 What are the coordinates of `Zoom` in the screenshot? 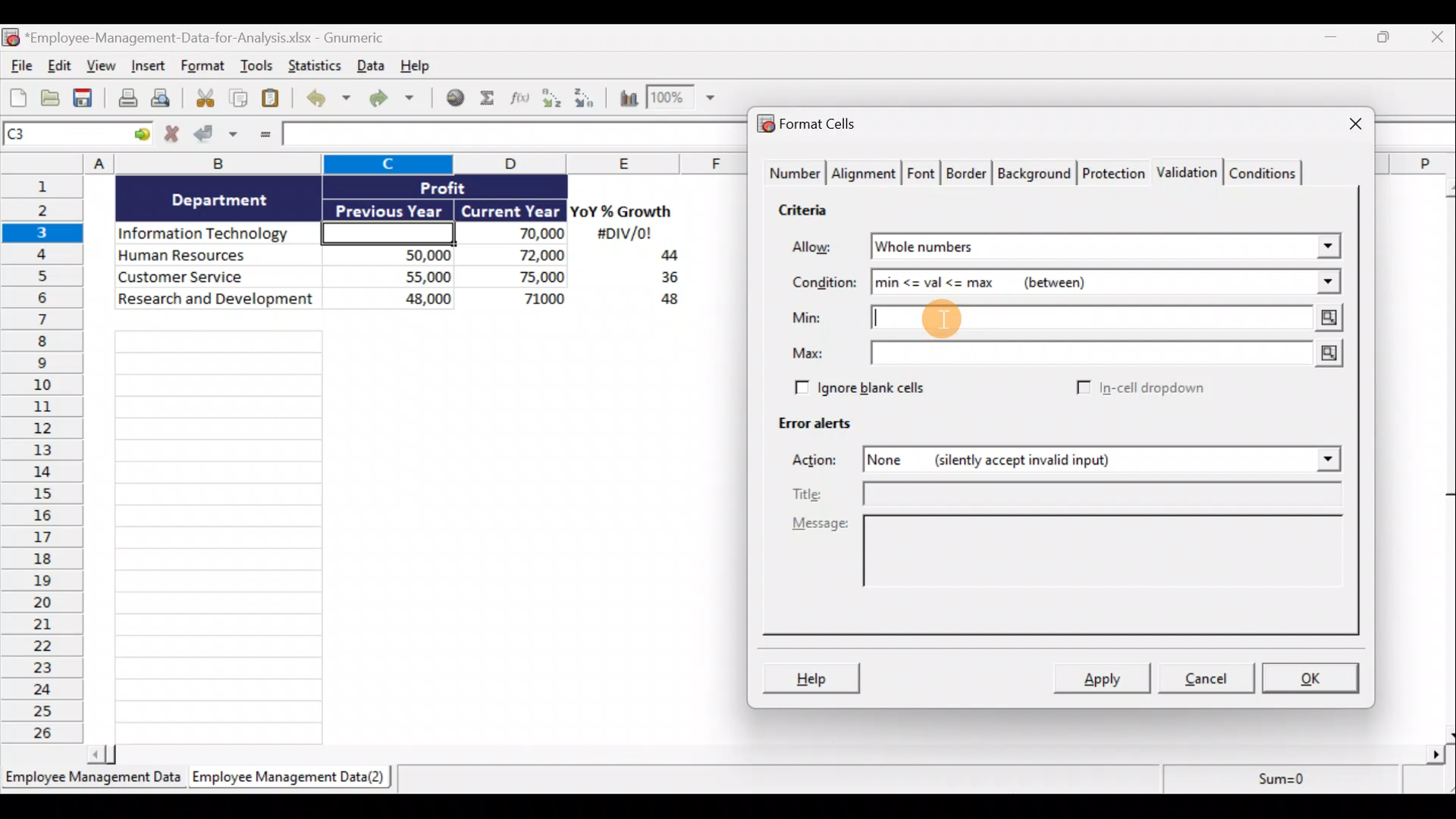 It's located at (685, 101).